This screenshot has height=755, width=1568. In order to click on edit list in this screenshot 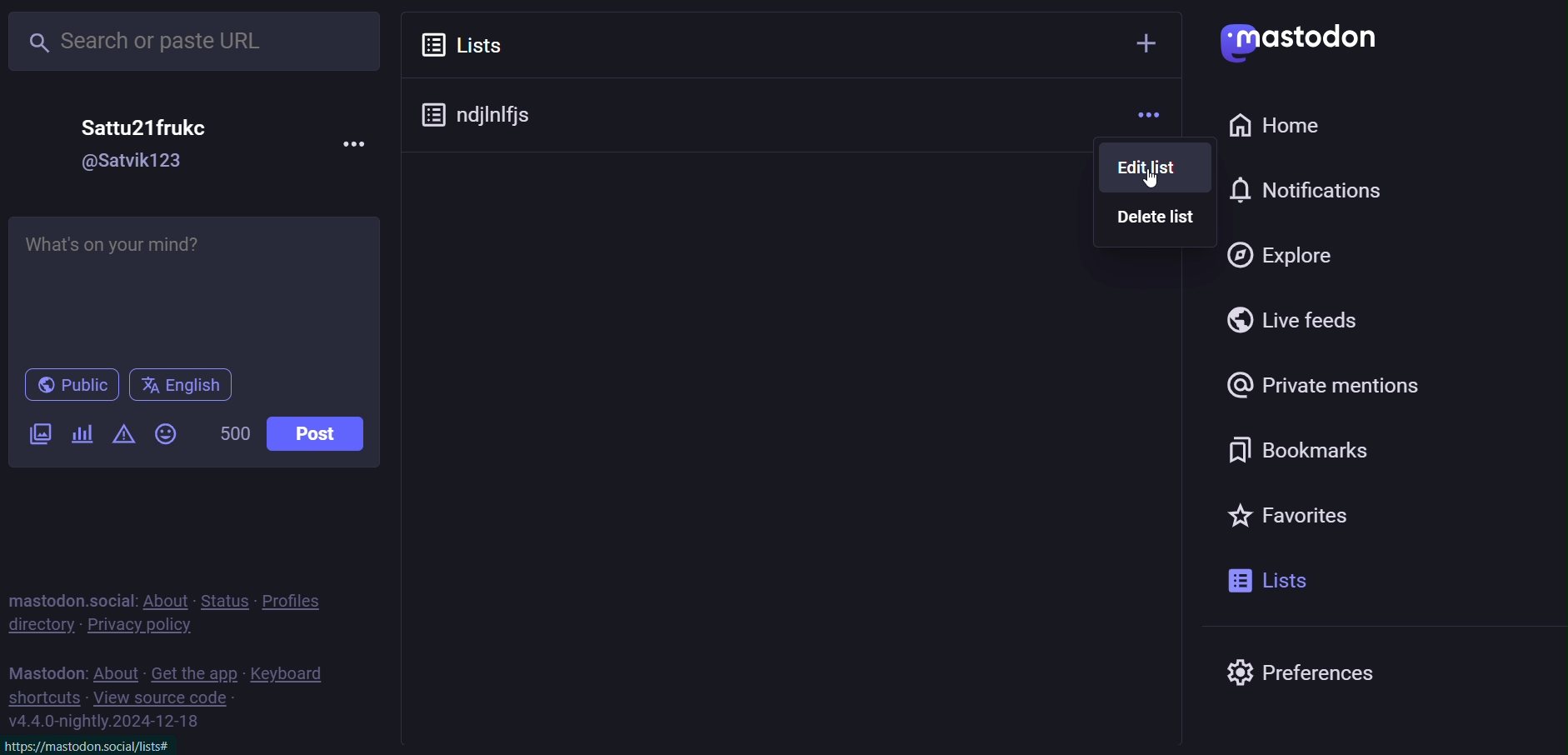, I will do `click(1158, 167)`.